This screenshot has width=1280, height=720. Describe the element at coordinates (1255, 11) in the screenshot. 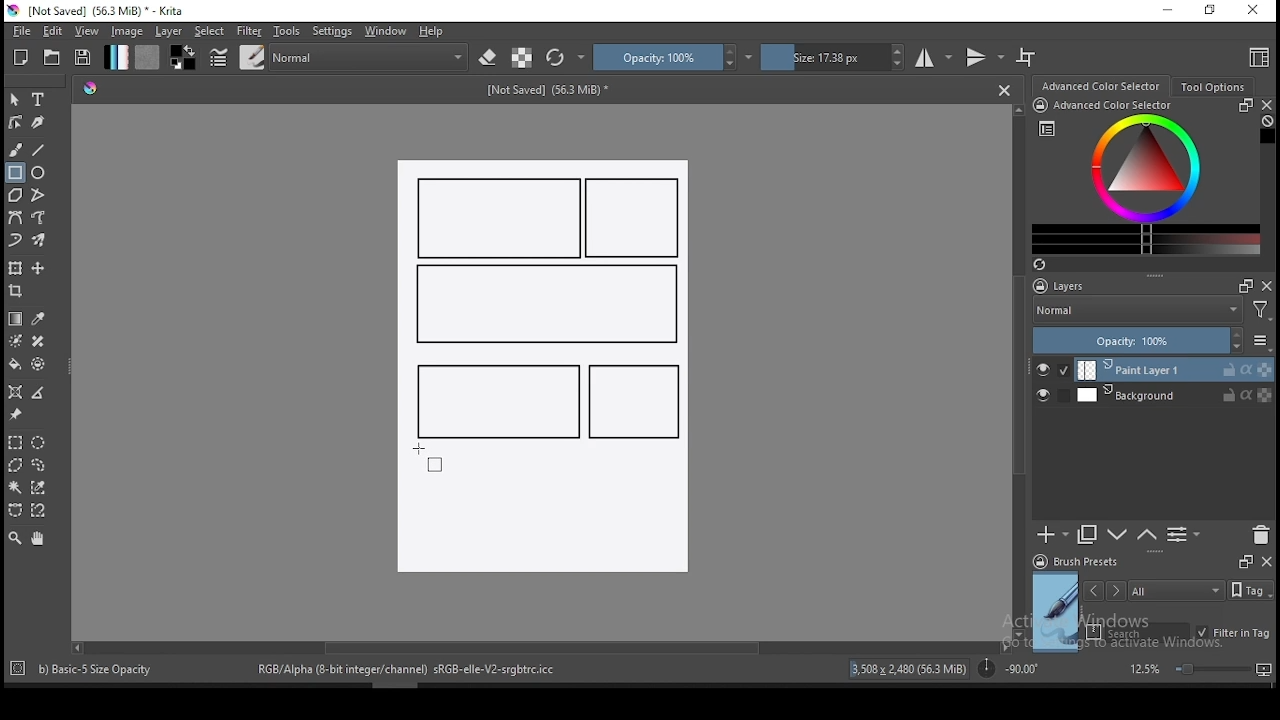

I see ` close window` at that location.